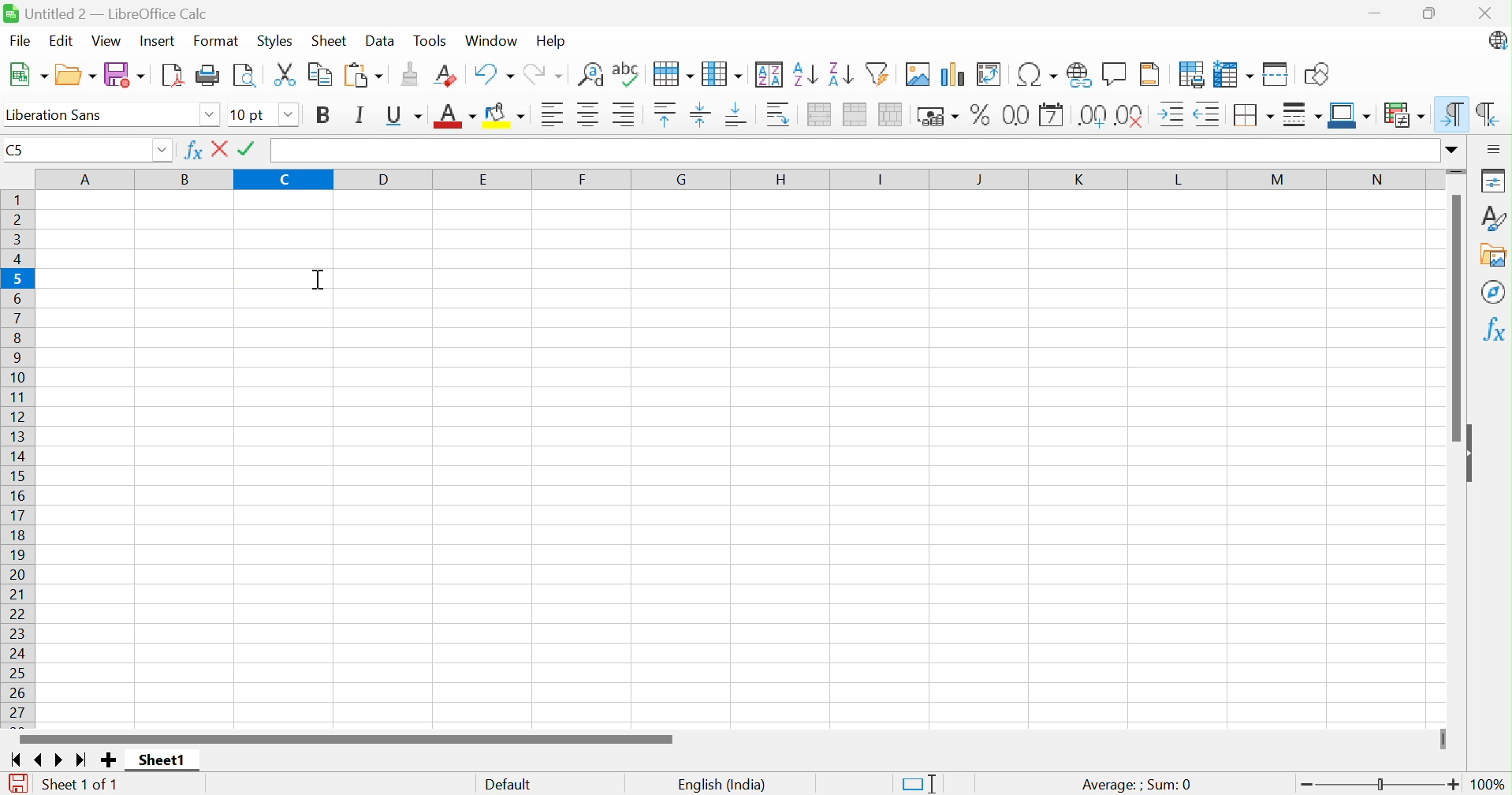 This screenshot has height=795, width=1512. I want to click on Name box, so click(72, 151).